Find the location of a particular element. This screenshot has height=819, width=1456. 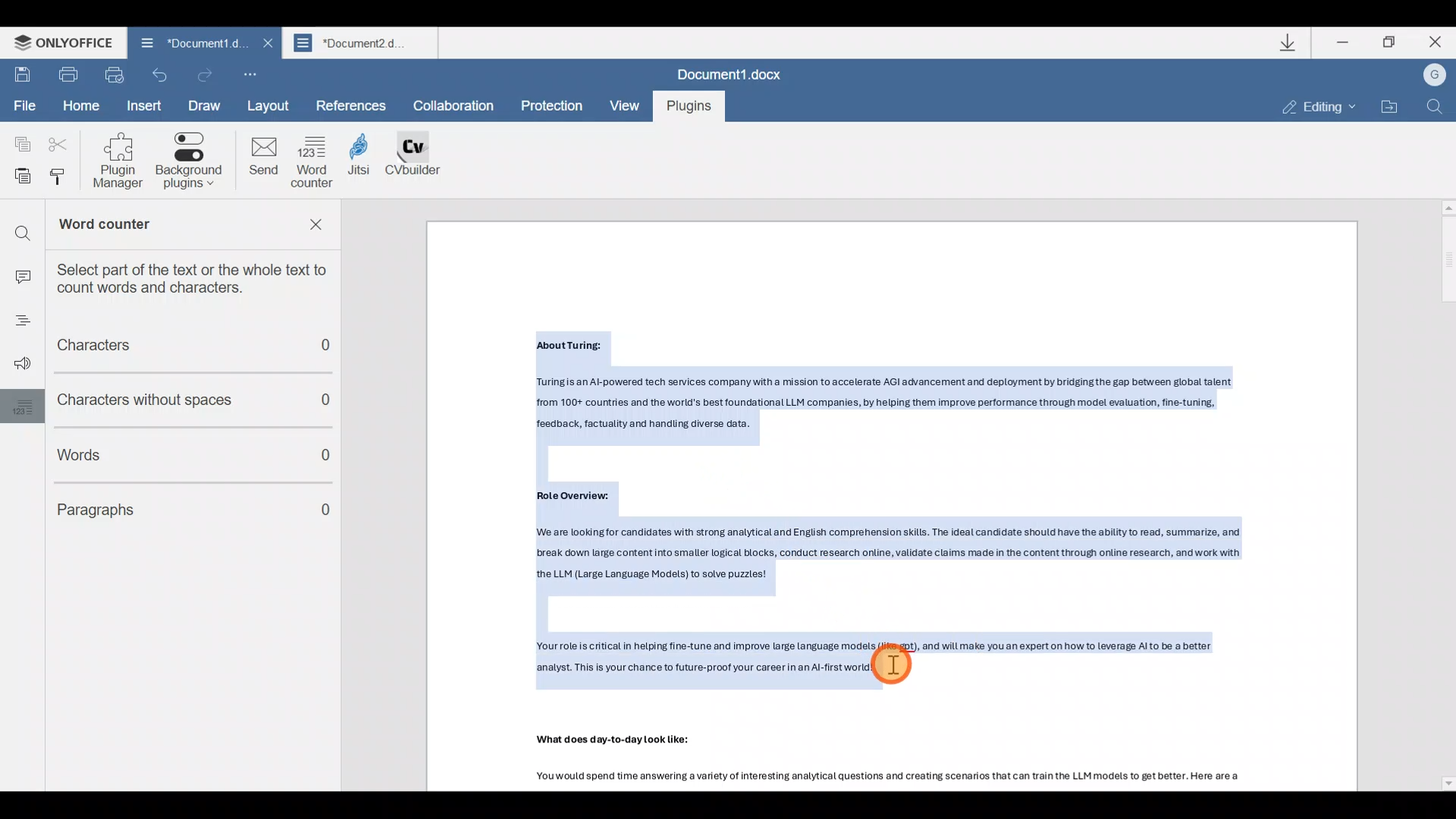

Downloads is located at coordinates (1288, 42).